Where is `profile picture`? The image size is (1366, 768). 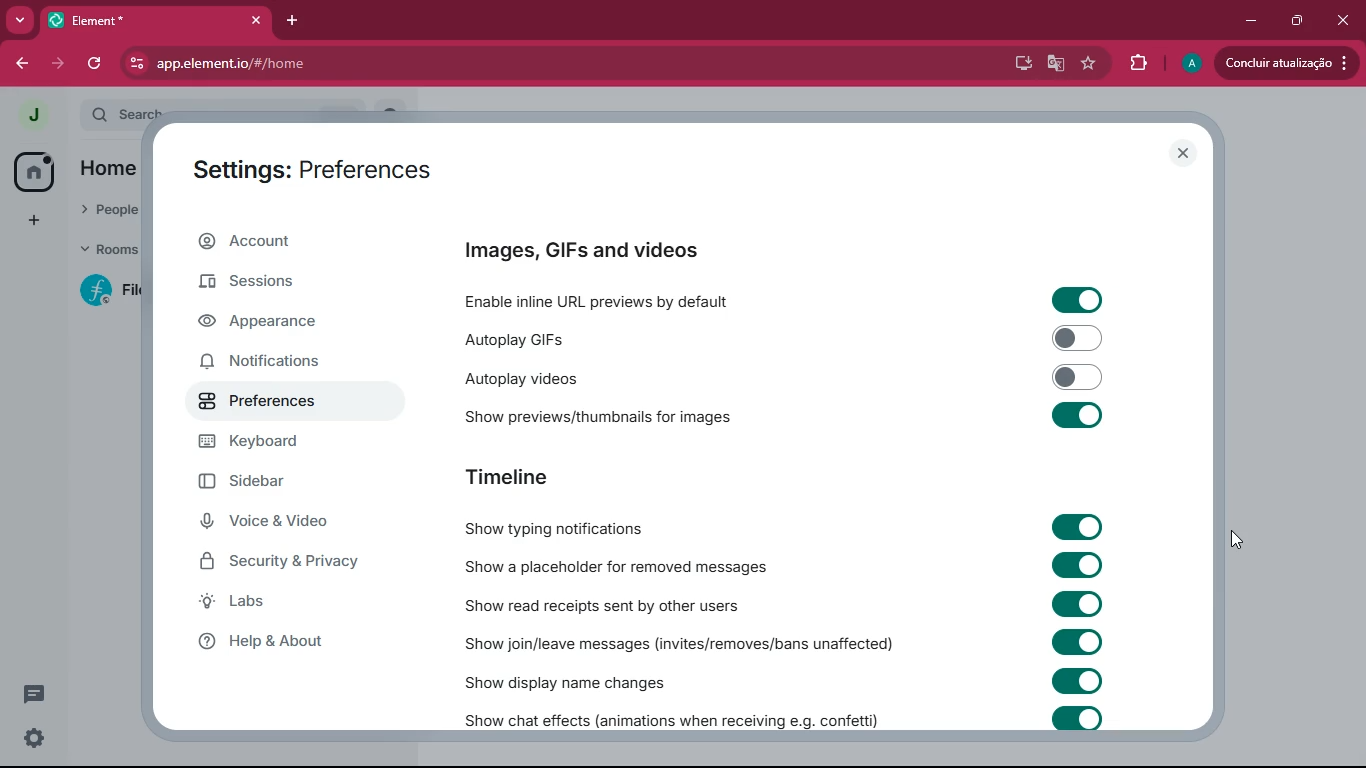 profile picture is located at coordinates (1192, 63).